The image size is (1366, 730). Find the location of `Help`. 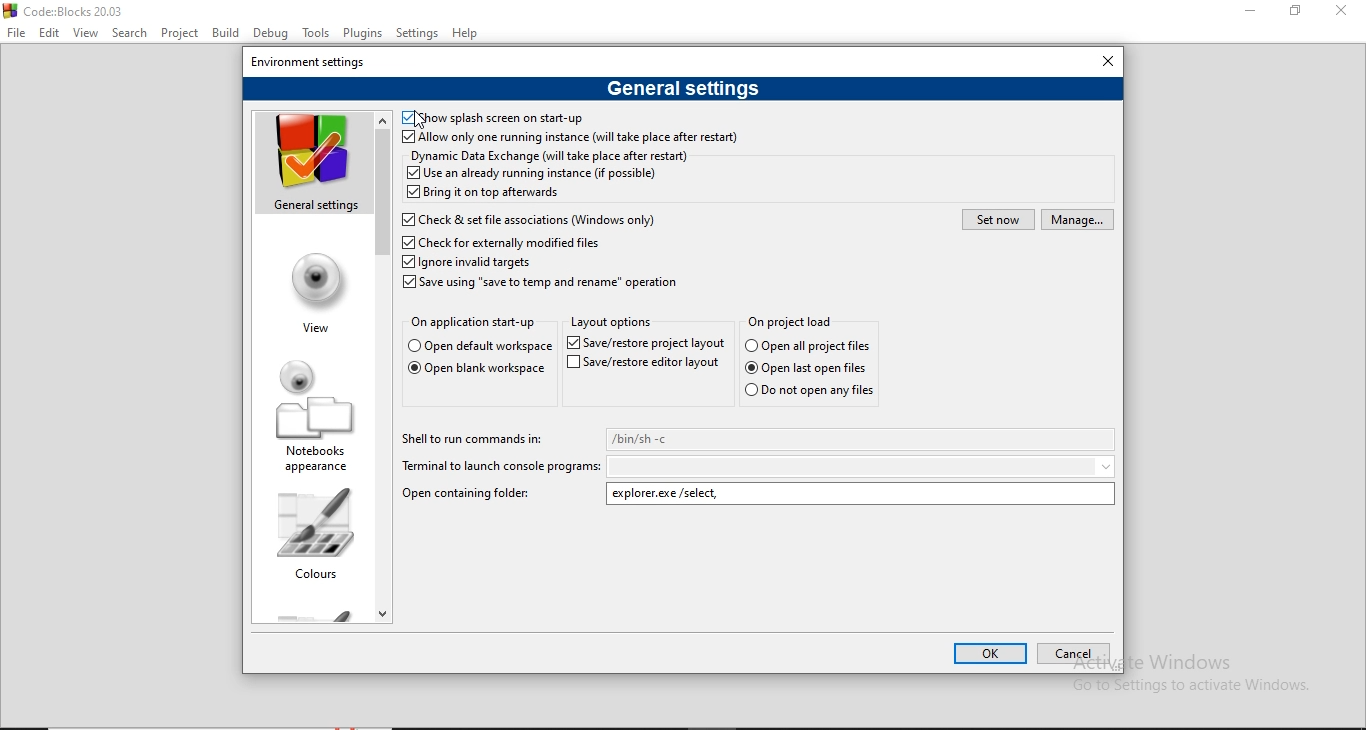

Help is located at coordinates (468, 34).